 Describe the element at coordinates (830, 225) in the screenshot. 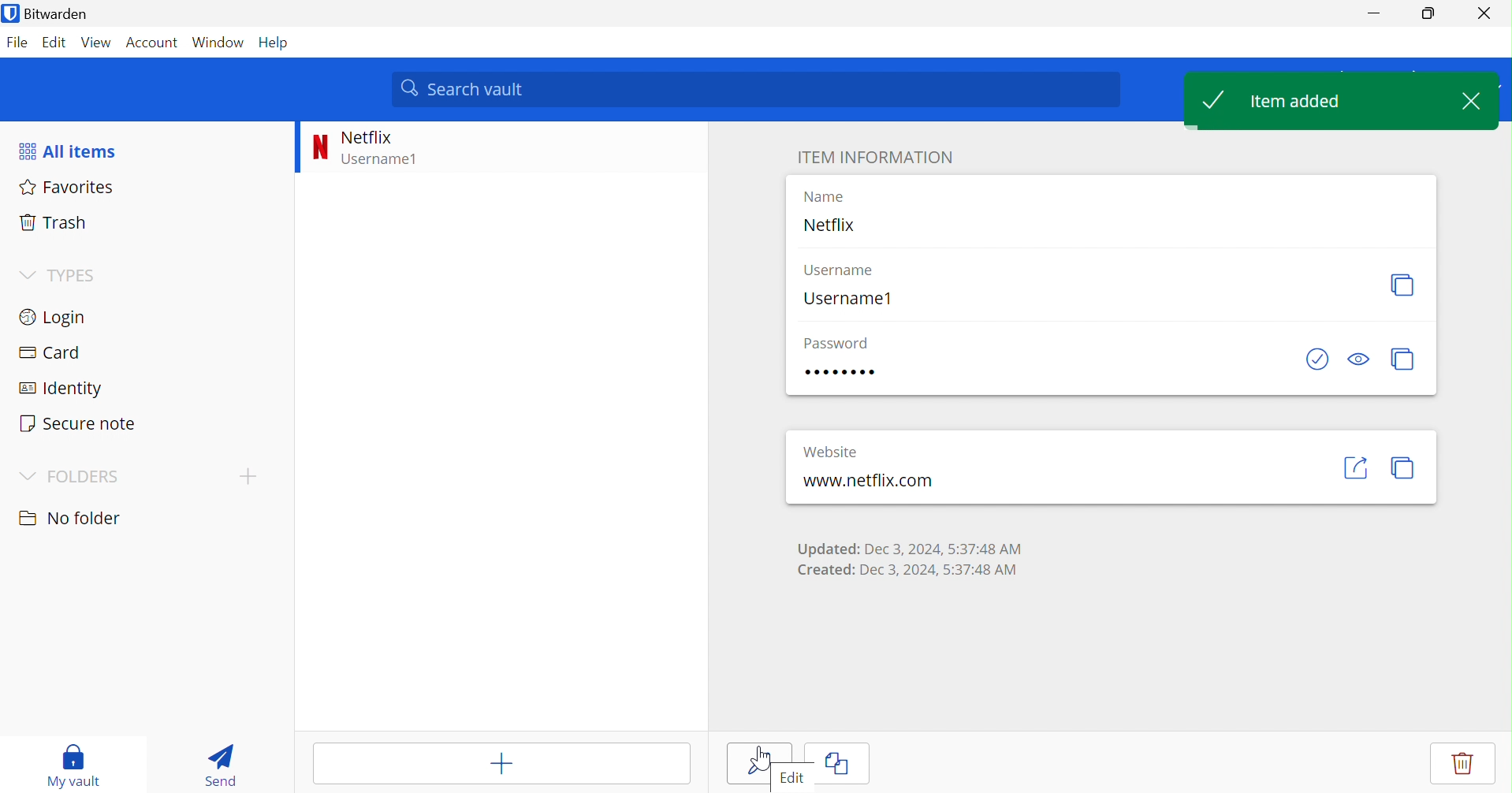

I see `Netflix` at that location.